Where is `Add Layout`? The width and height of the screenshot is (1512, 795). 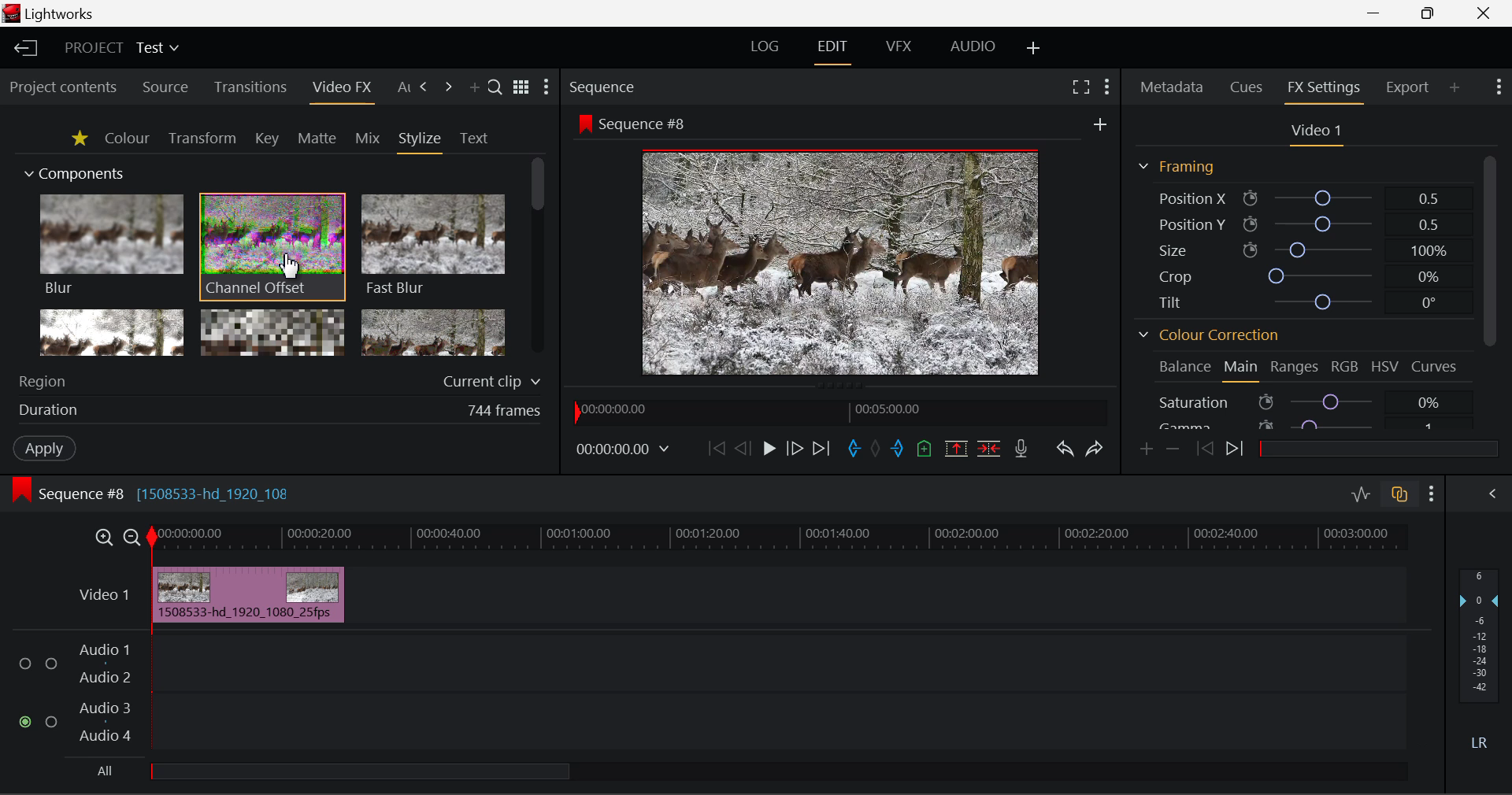 Add Layout is located at coordinates (1034, 51).